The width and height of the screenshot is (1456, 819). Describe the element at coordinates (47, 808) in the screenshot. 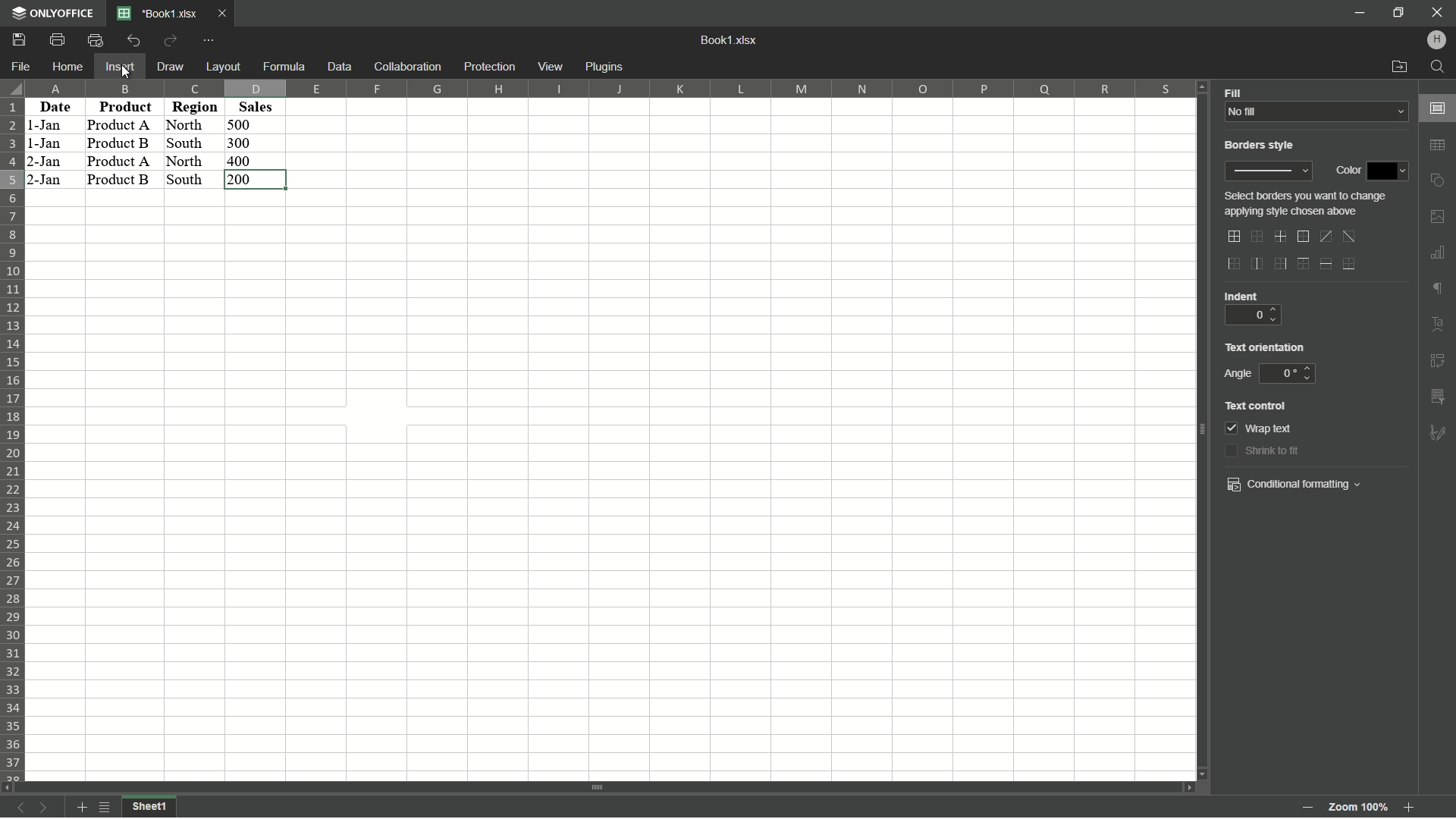

I see `next sheet` at that location.